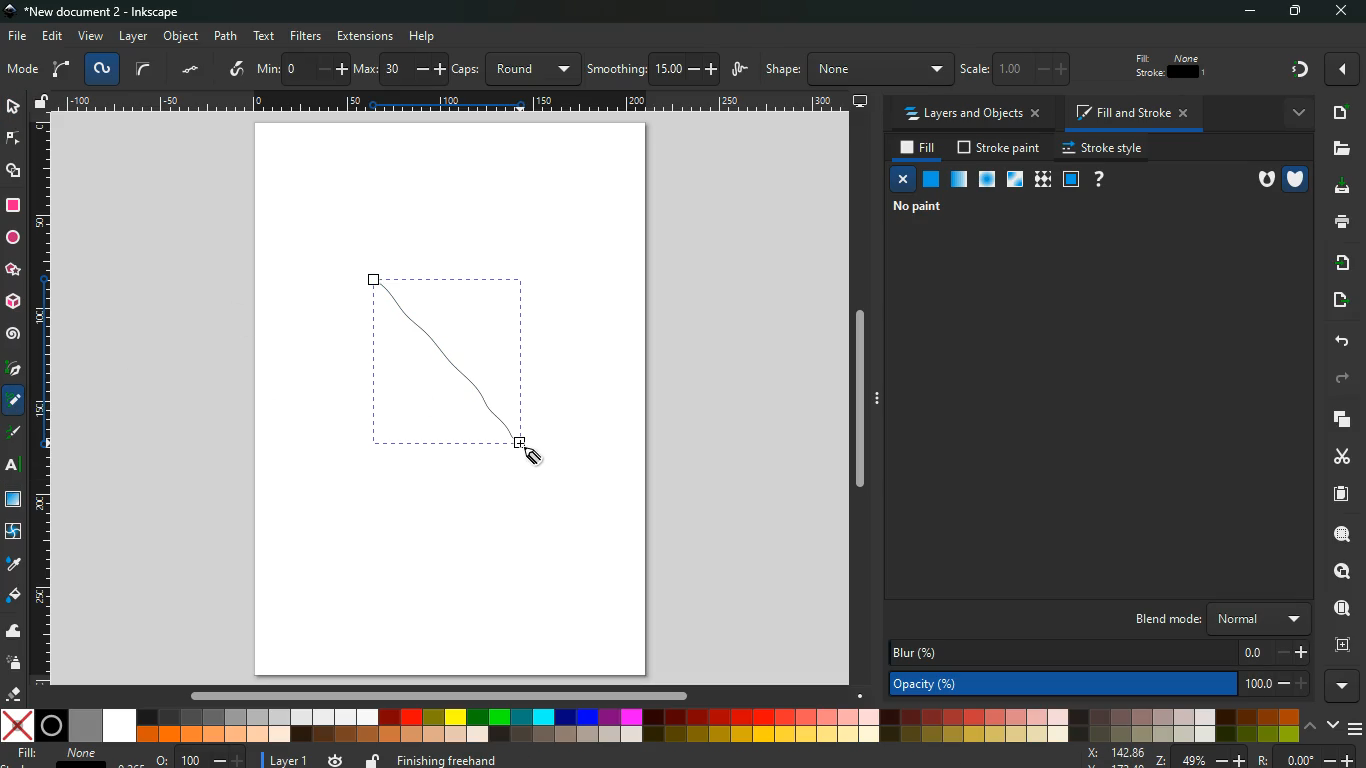 The image size is (1366, 768). Describe the element at coordinates (1337, 149) in the screenshot. I see `files` at that location.